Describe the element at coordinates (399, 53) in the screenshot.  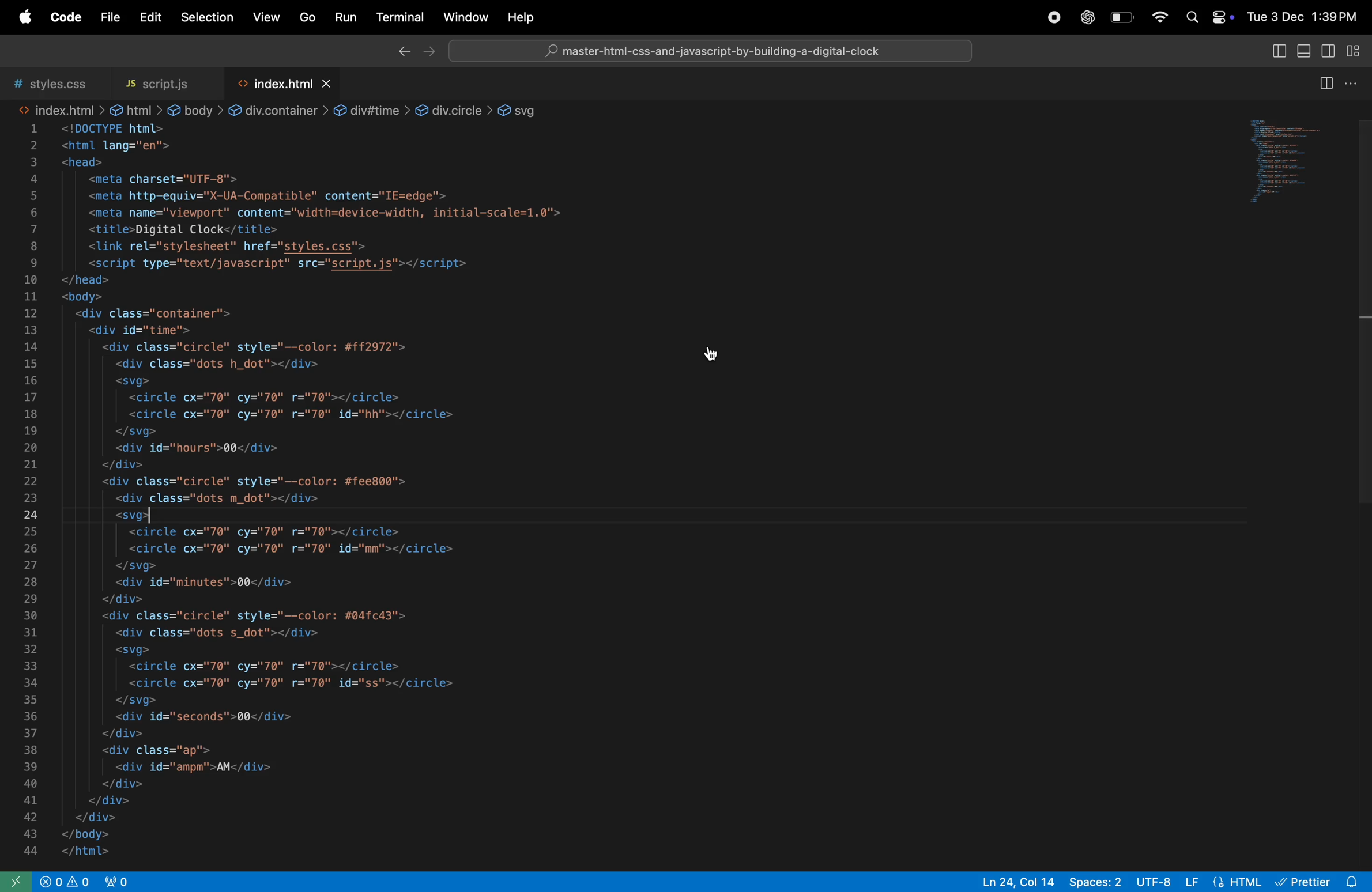
I see `go back` at that location.